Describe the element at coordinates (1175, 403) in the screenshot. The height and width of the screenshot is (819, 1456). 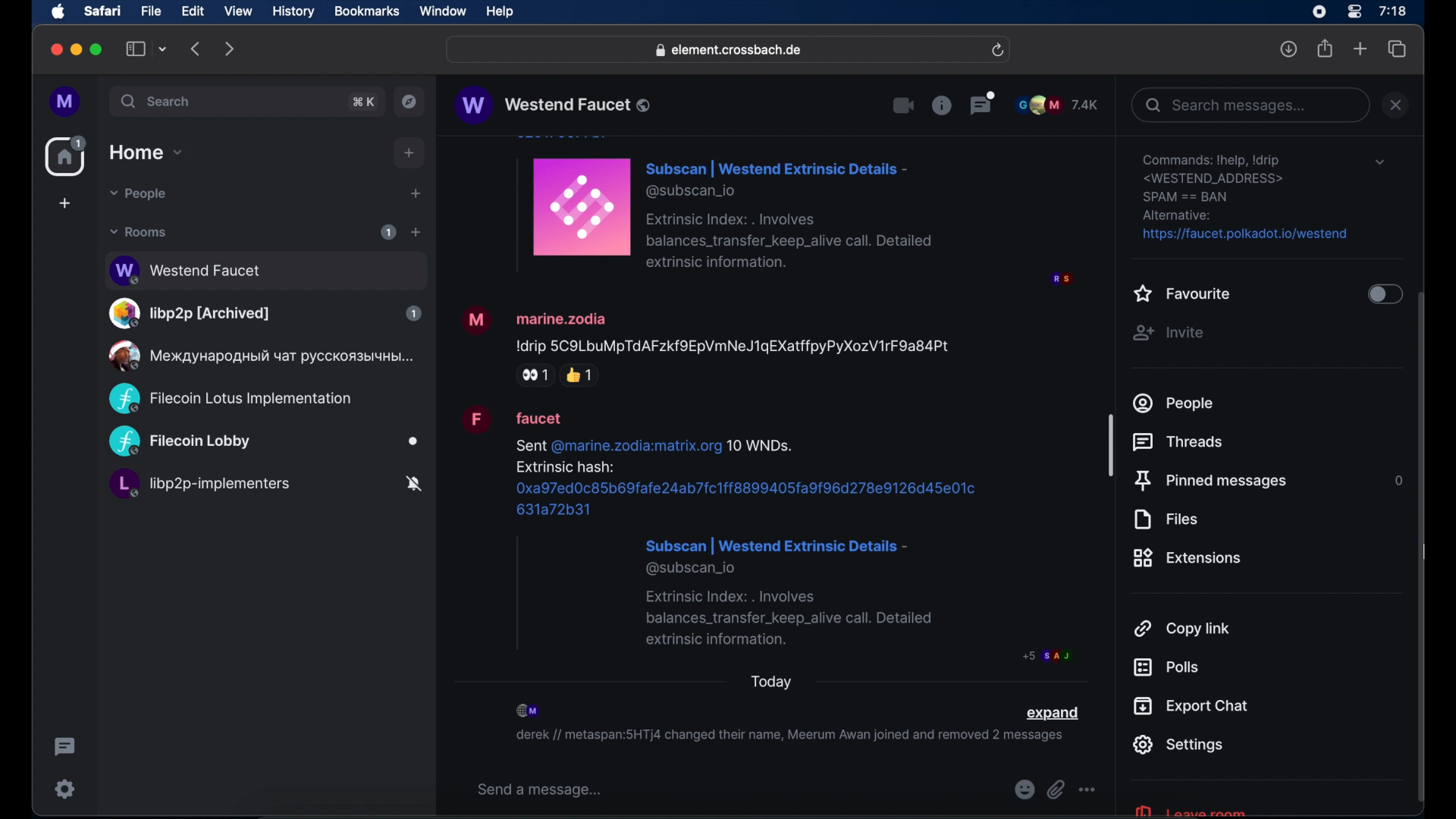
I see `people` at that location.